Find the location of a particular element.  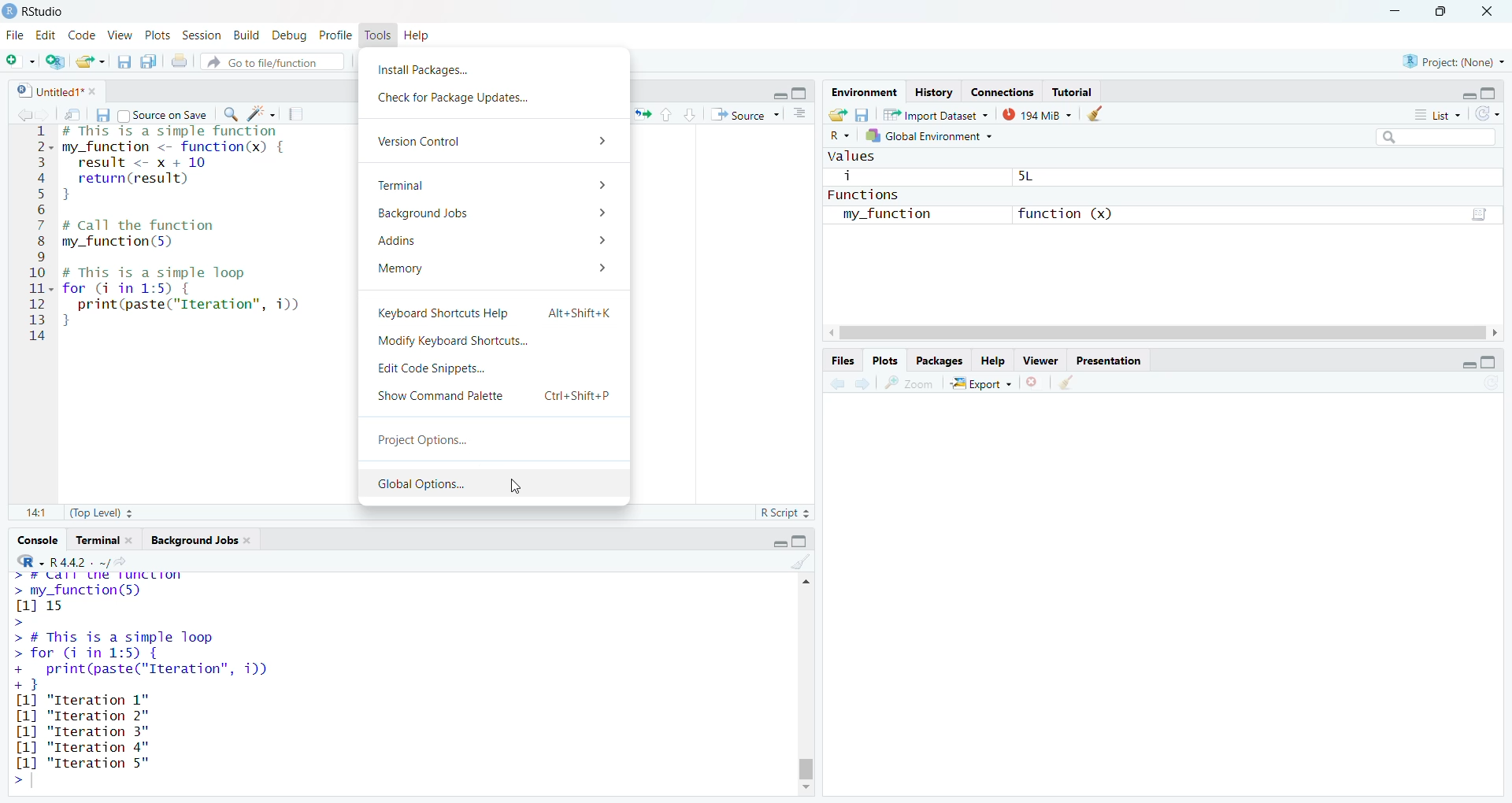

save all open documents is located at coordinates (149, 61).